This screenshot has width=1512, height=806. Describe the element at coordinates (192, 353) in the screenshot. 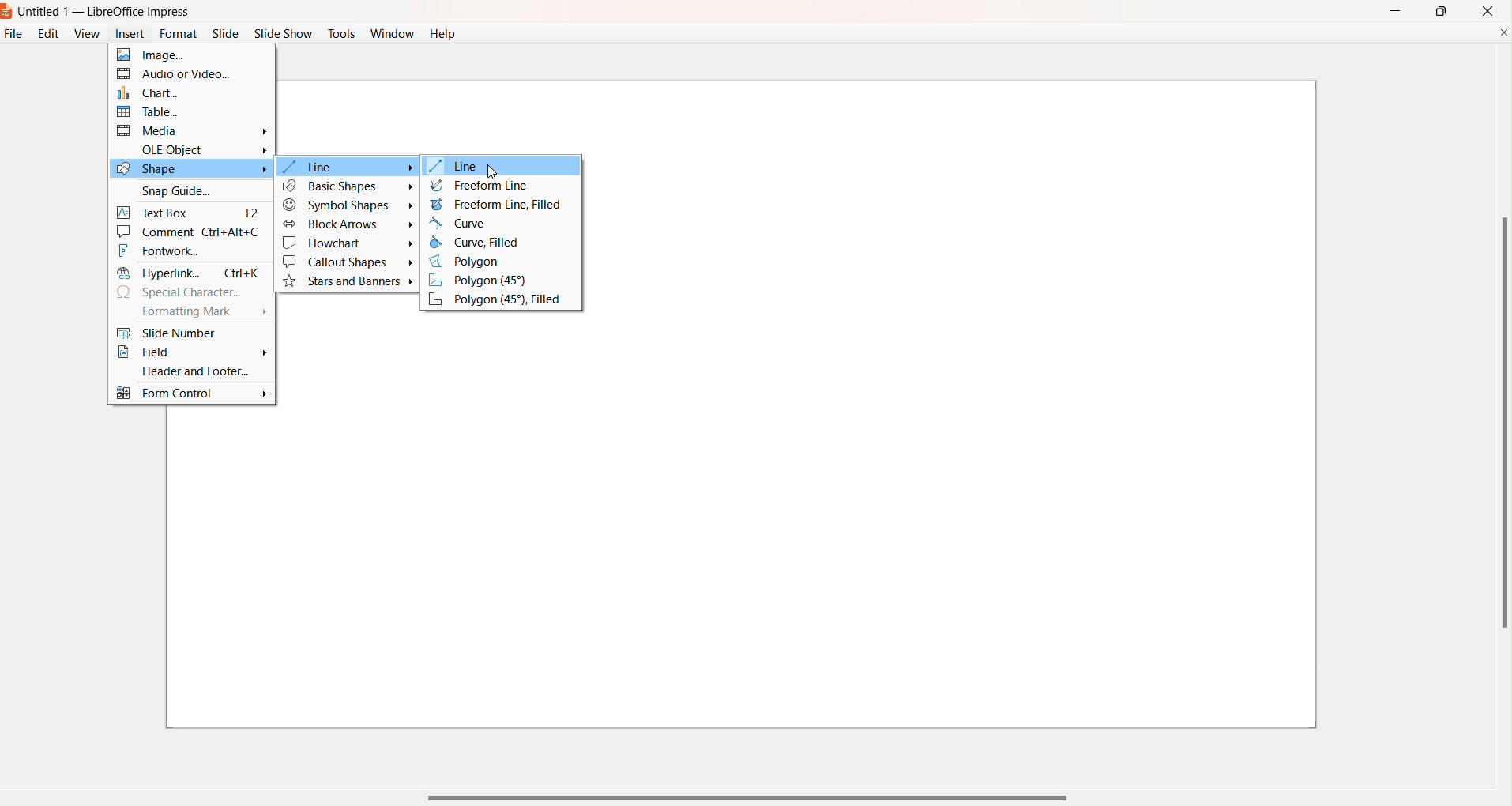

I see `Field` at that location.